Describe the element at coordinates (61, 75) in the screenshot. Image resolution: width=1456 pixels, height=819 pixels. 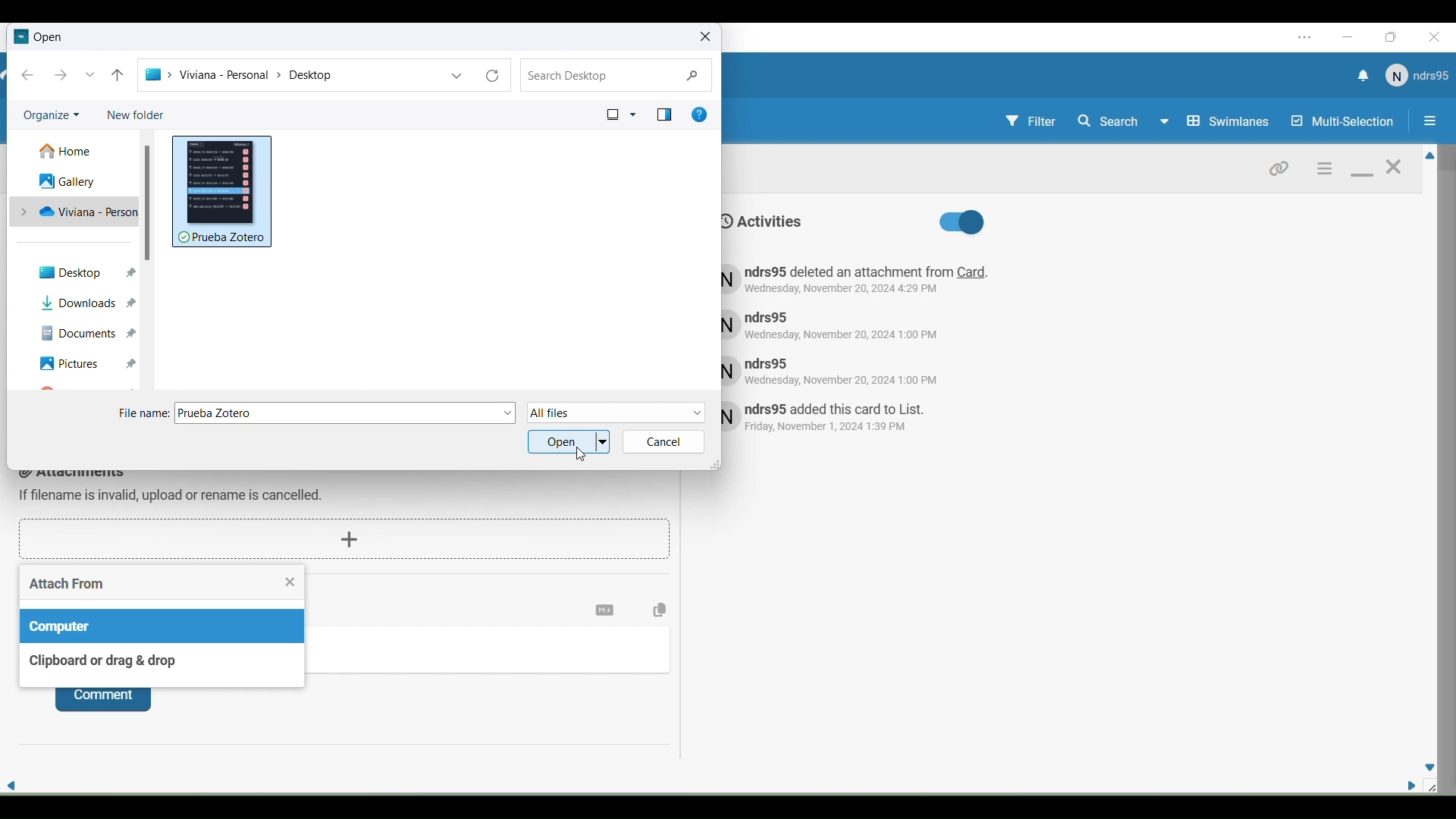
I see `Next` at that location.